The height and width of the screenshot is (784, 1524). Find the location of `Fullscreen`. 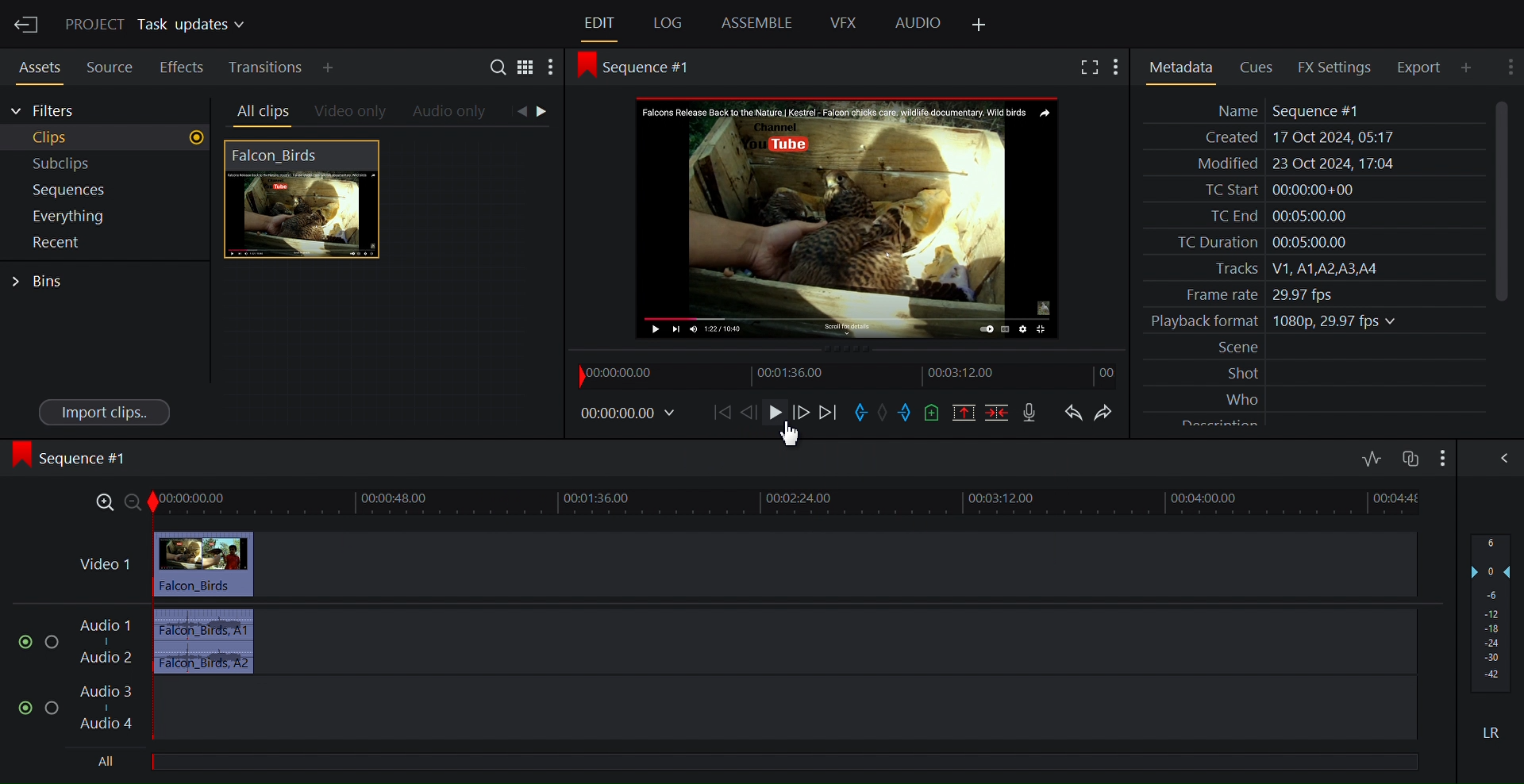

Fullscreen is located at coordinates (1091, 67).